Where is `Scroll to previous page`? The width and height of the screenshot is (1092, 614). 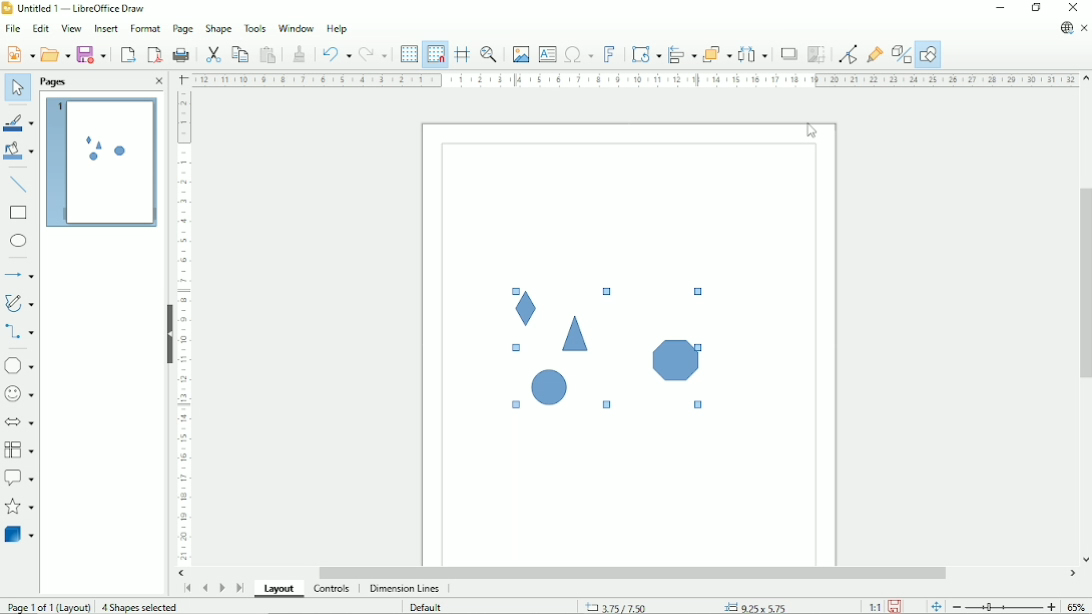
Scroll to previous page is located at coordinates (206, 586).